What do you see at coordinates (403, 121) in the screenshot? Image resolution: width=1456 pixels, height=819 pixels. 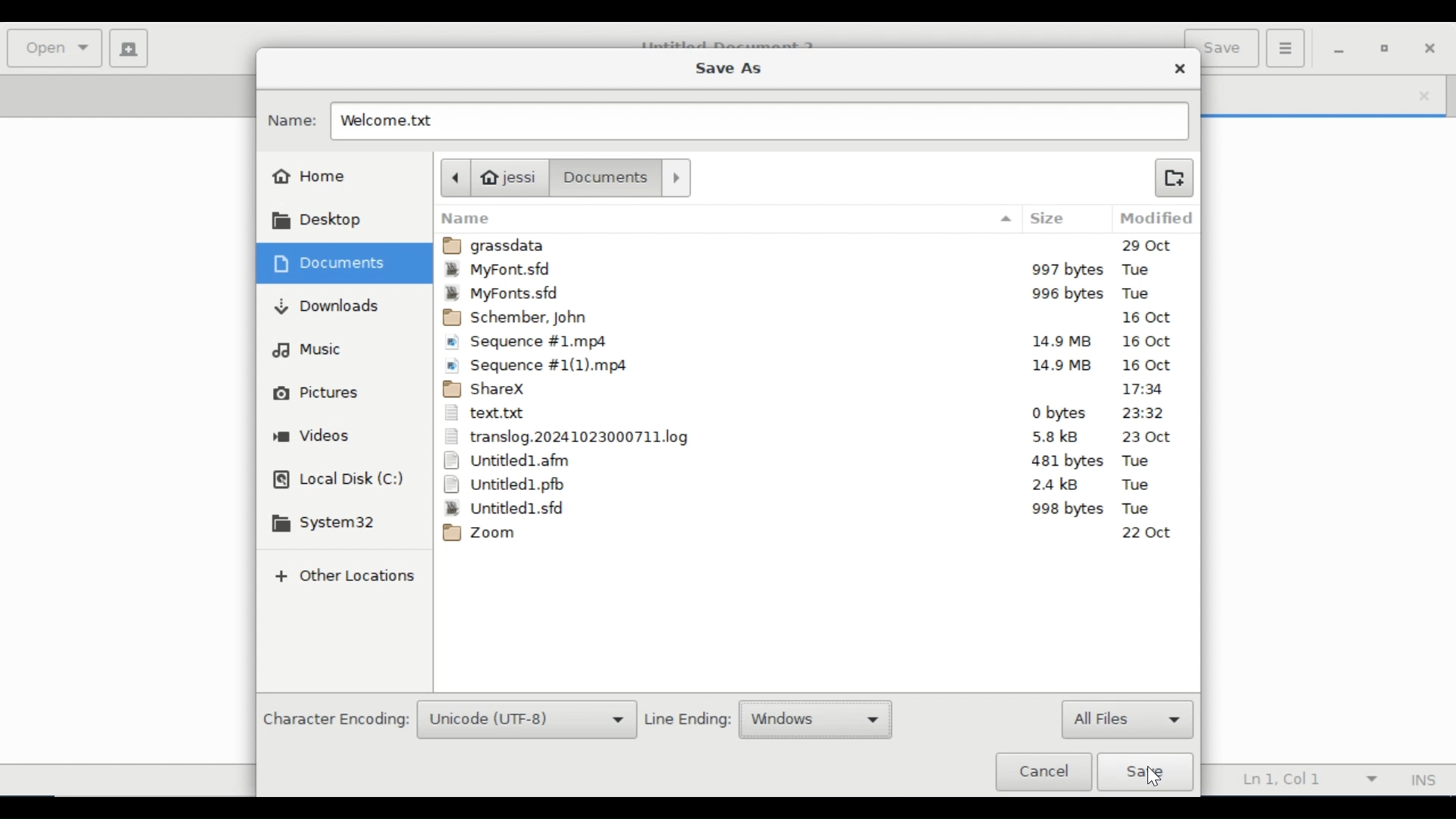 I see `Welcome.txt` at bounding box center [403, 121].